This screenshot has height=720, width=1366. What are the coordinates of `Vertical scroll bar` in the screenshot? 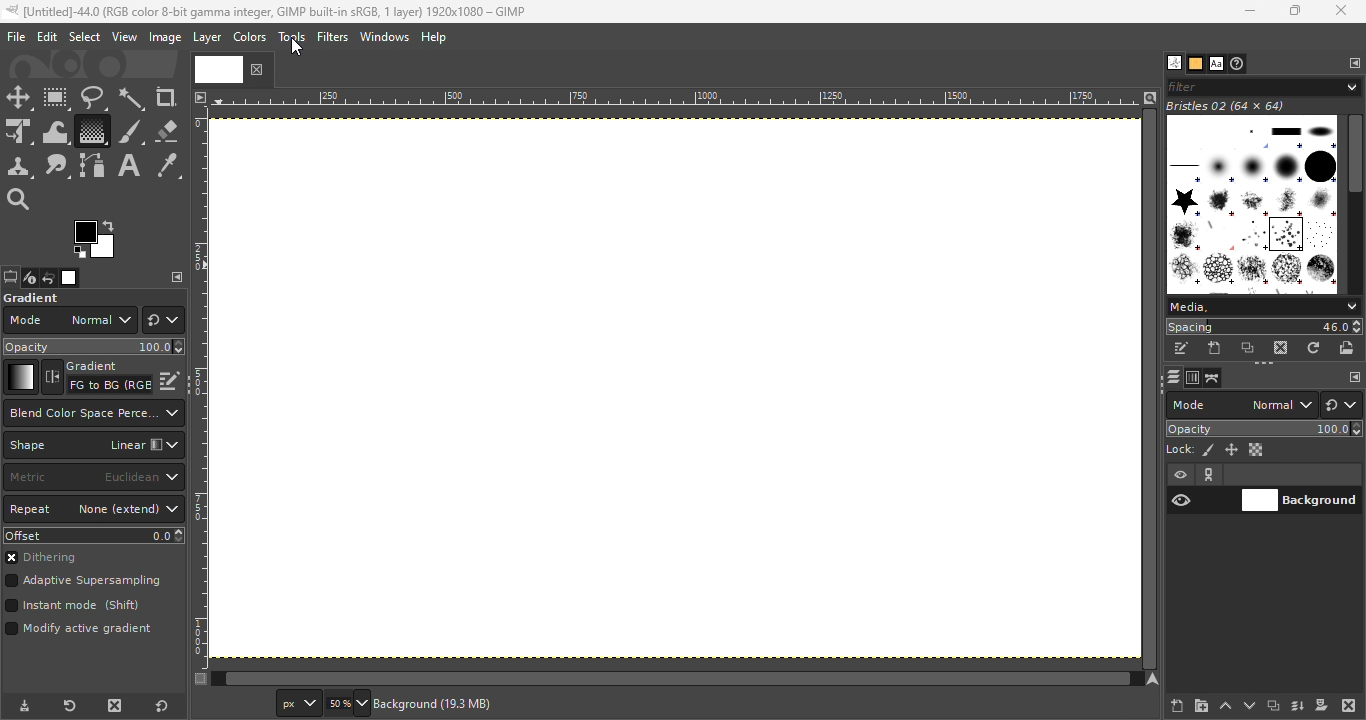 It's located at (667, 679).